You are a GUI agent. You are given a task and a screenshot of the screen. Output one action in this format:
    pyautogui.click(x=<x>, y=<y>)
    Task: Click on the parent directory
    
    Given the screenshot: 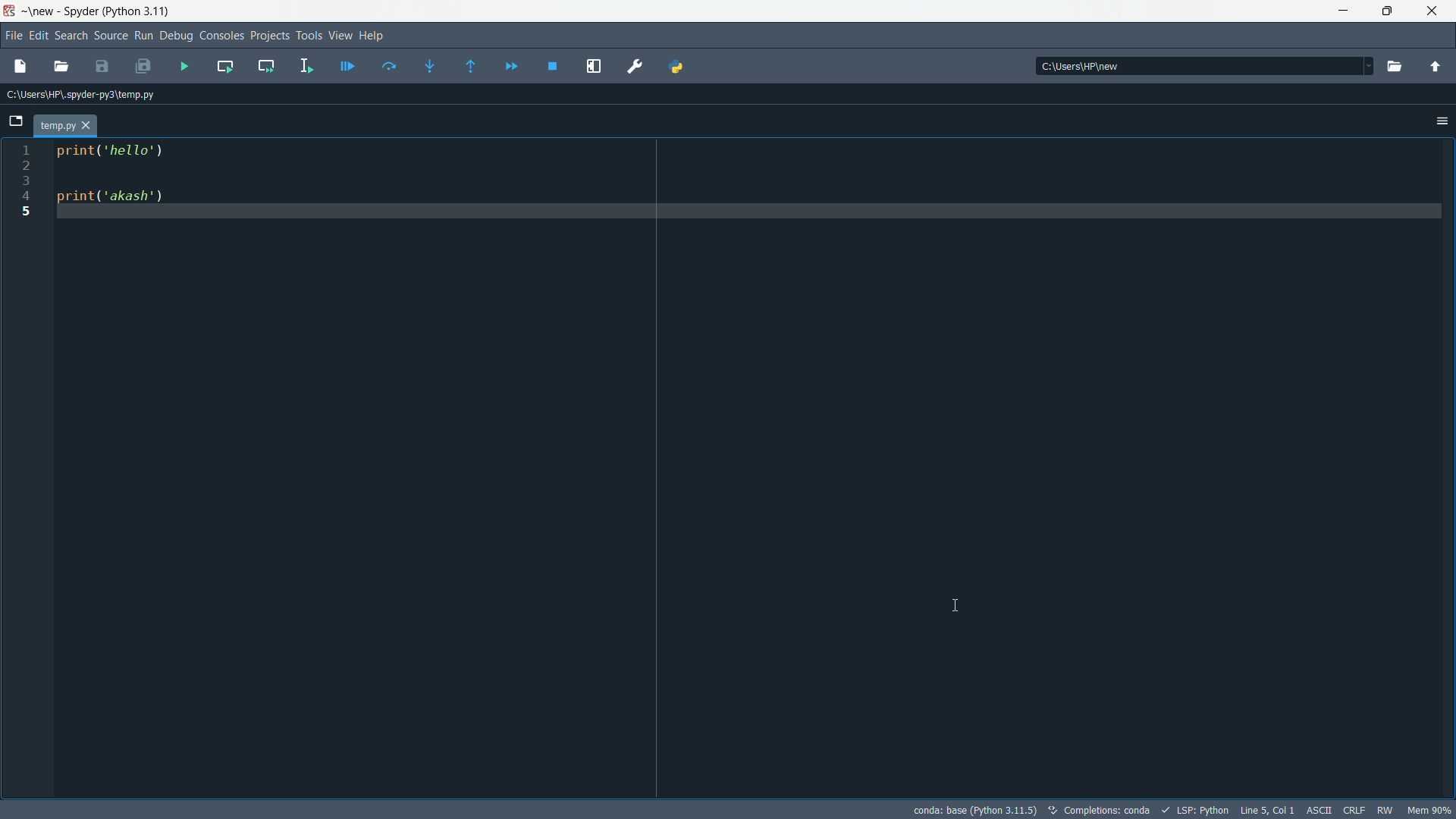 What is the action you would take?
    pyautogui.click(x=1437, y=67)
    